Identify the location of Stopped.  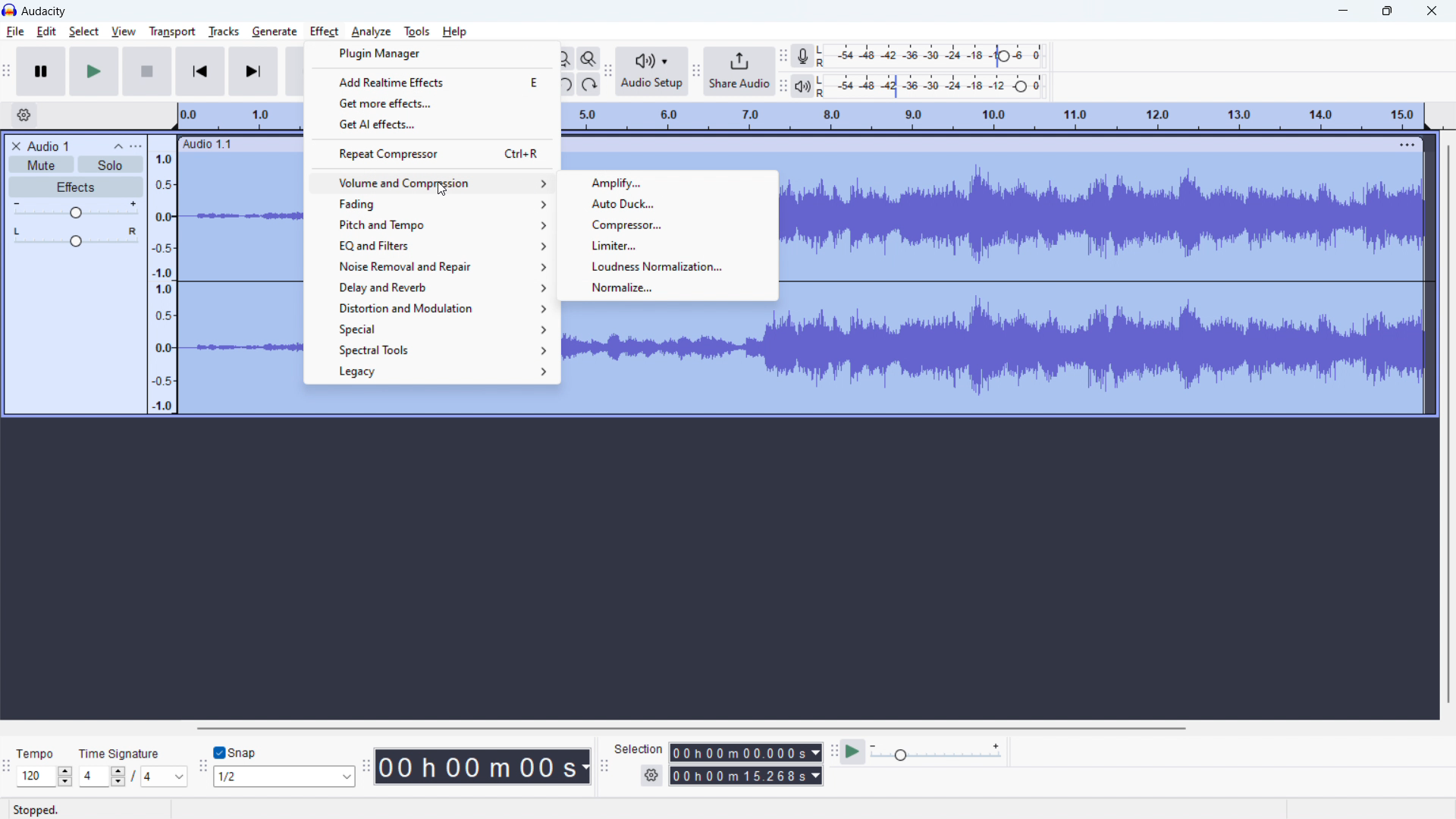
(46, 808).